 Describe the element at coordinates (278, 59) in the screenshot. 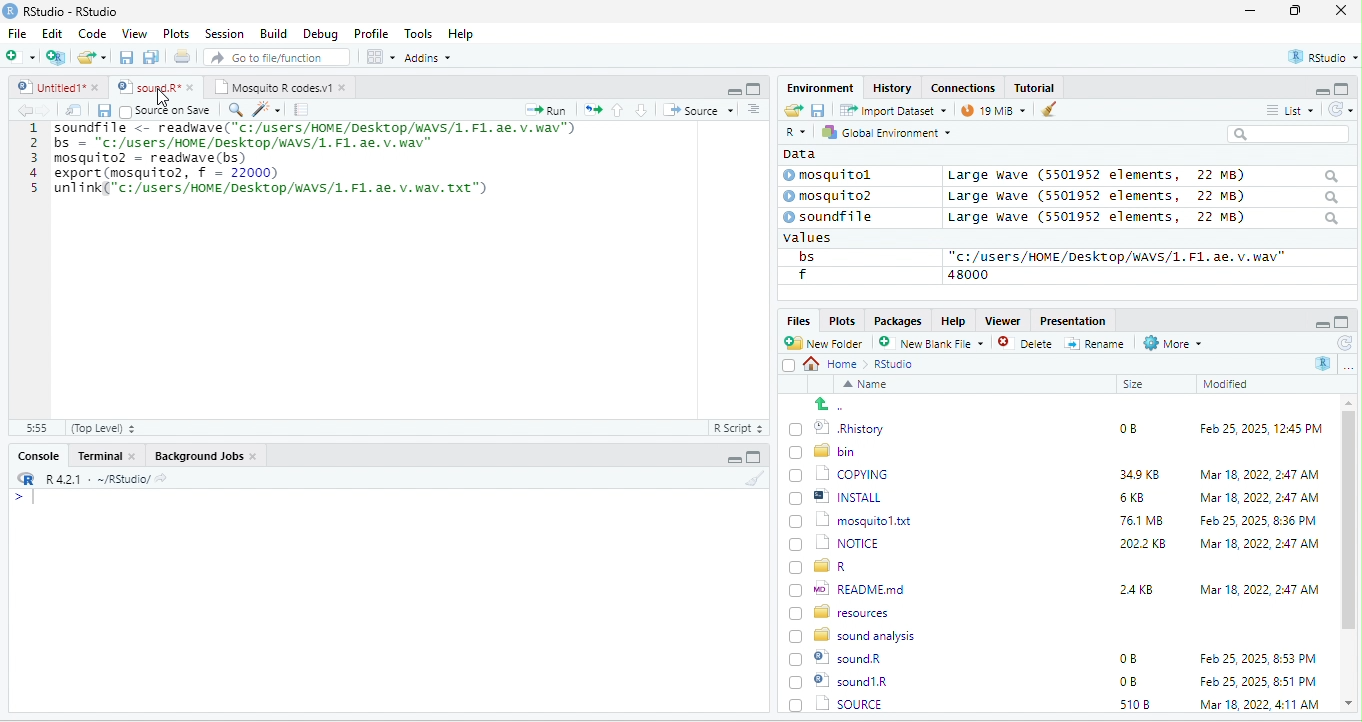

I see `” Go to file/function` at that location.